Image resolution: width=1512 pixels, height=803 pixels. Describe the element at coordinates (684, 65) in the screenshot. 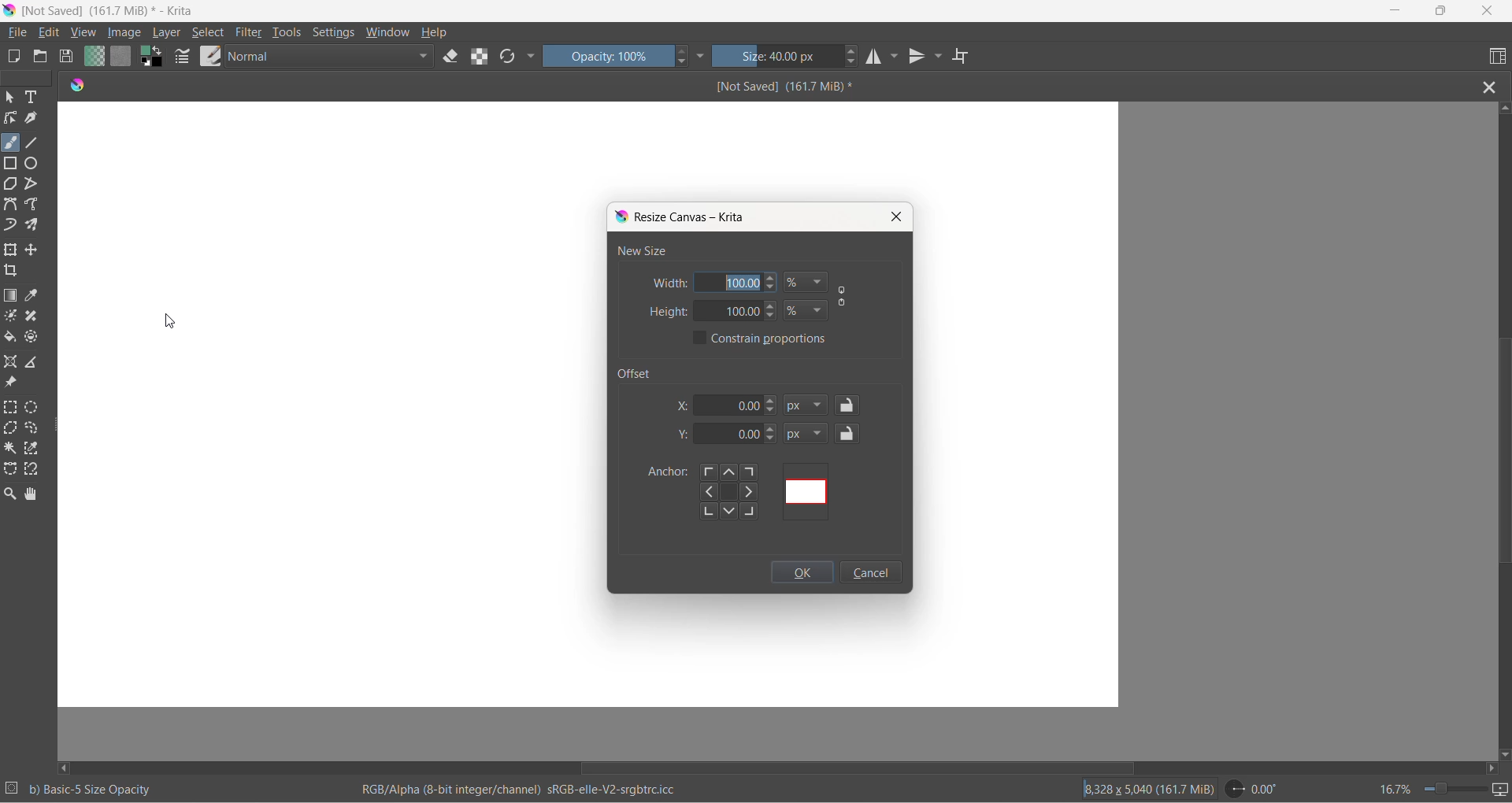

I see `decrement opacity` at that location.